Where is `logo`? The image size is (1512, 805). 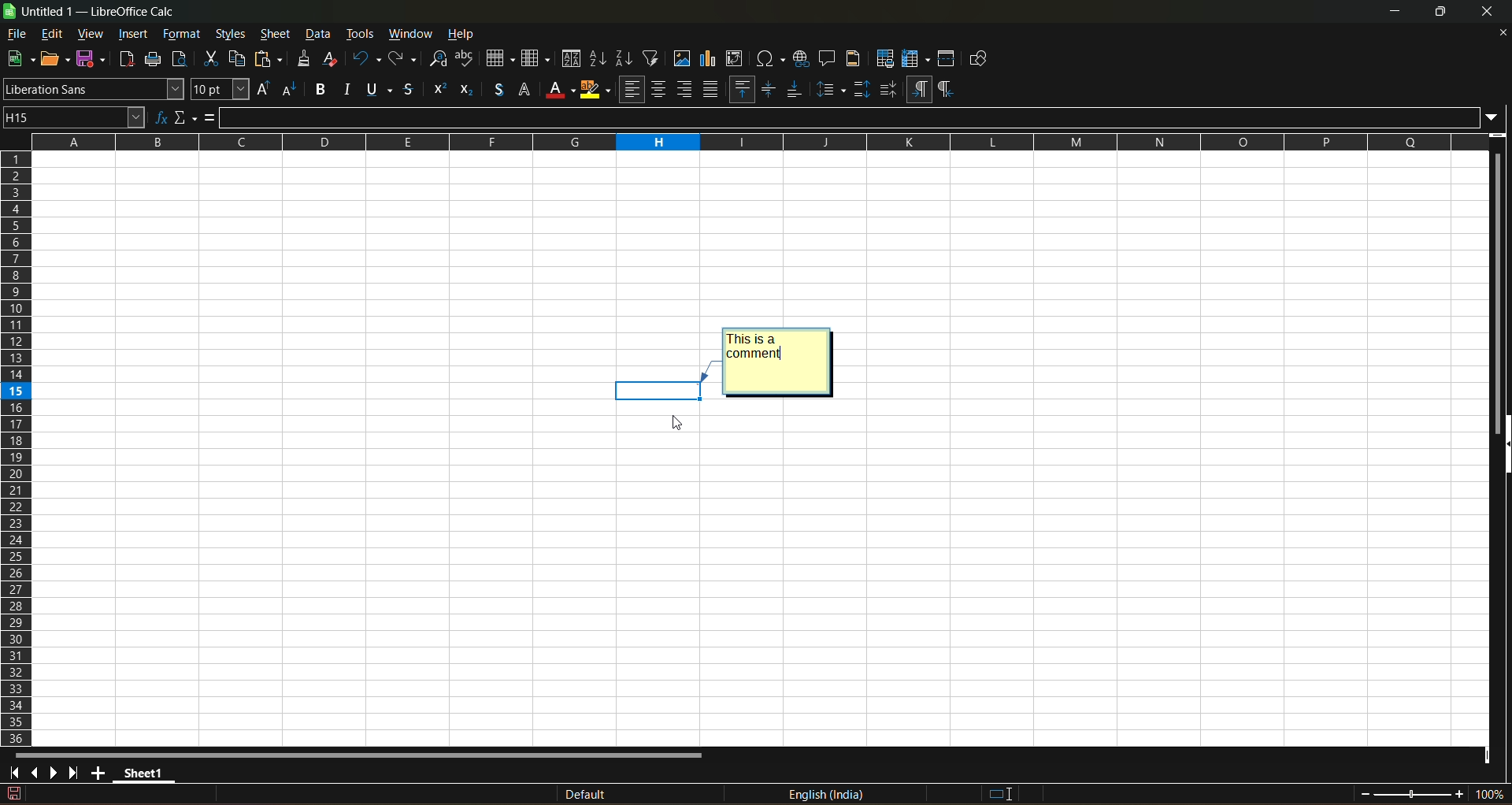 logo is located at coordinates (11, 11).